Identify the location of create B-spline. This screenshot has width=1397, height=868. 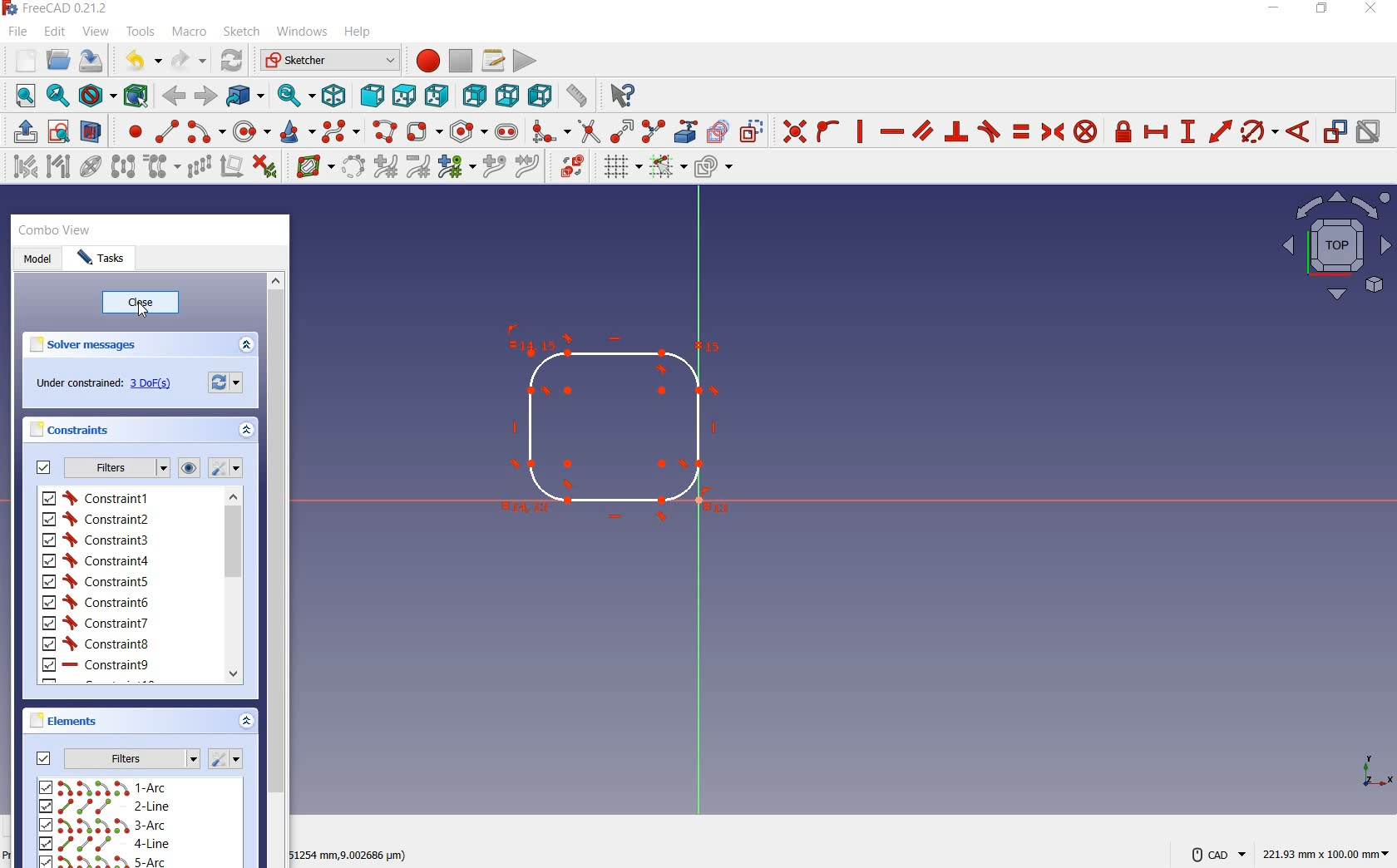
(343, 131).